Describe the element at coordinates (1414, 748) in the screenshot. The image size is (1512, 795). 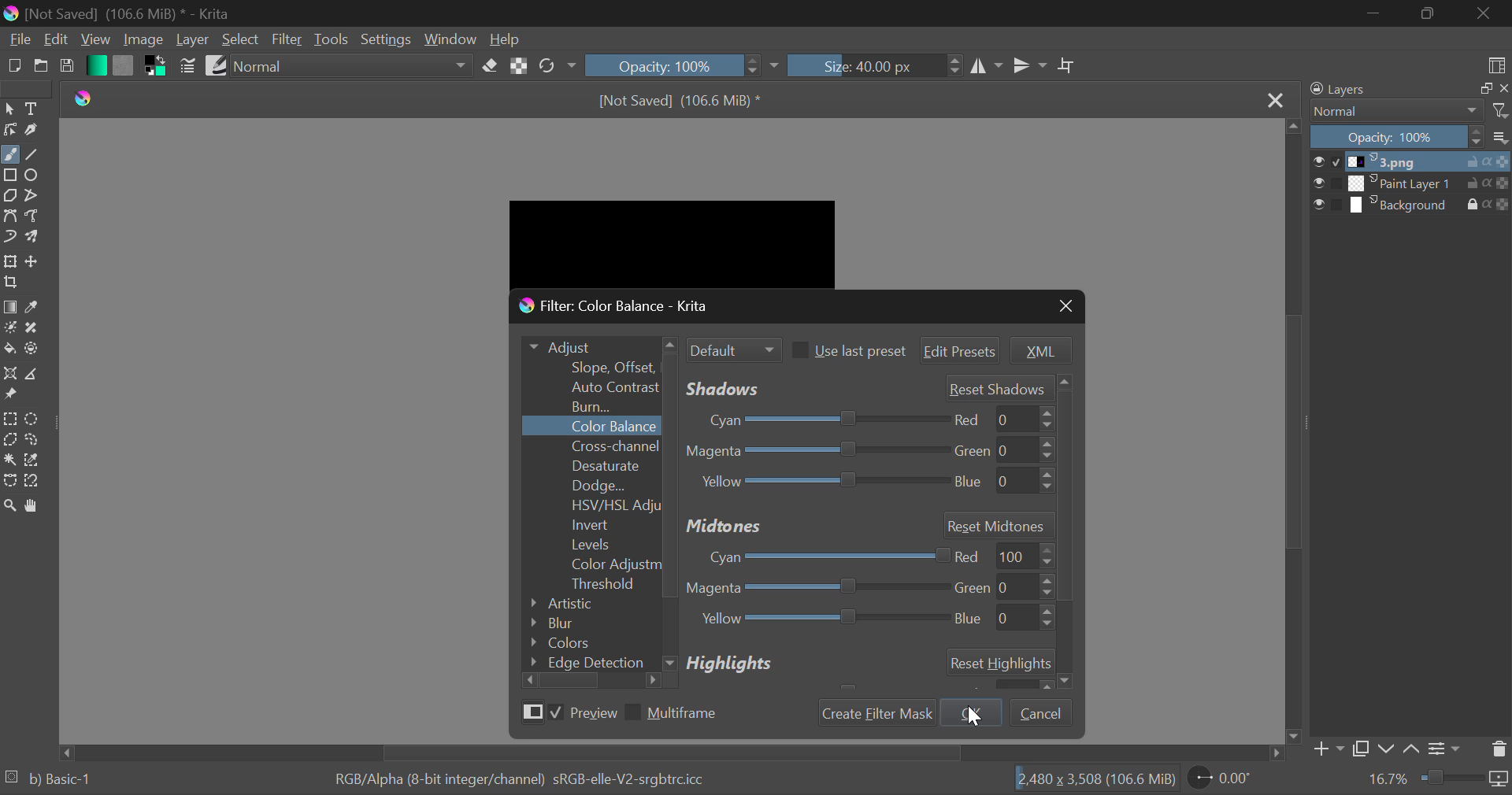
I see `Move Layer Up` at that location.